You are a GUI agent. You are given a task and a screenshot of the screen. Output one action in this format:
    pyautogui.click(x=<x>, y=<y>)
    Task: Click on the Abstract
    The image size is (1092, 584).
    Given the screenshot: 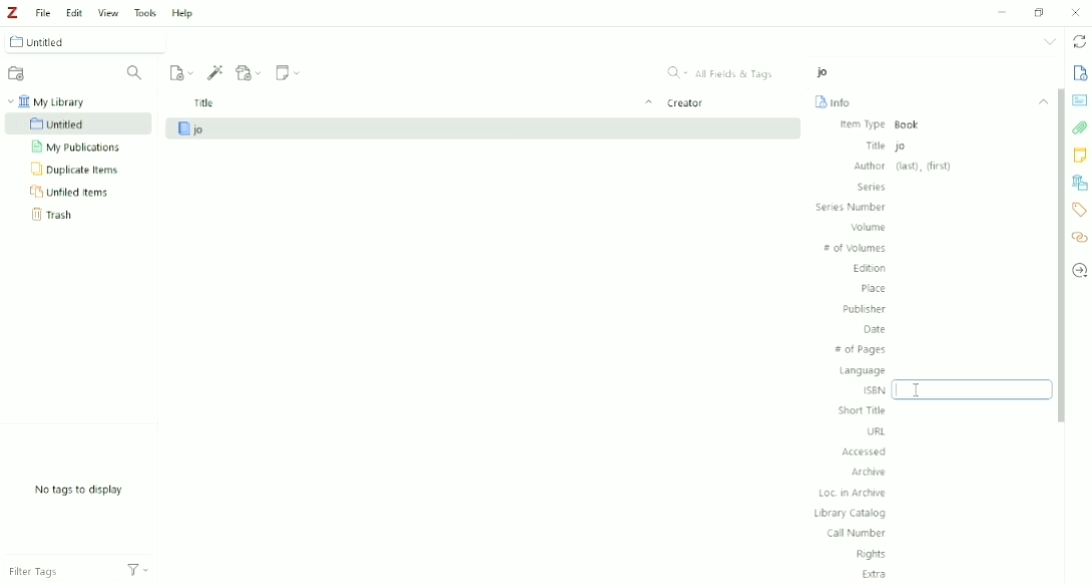 What is the action you would take?
    pyautogui.click(x=1080, y=99)
    